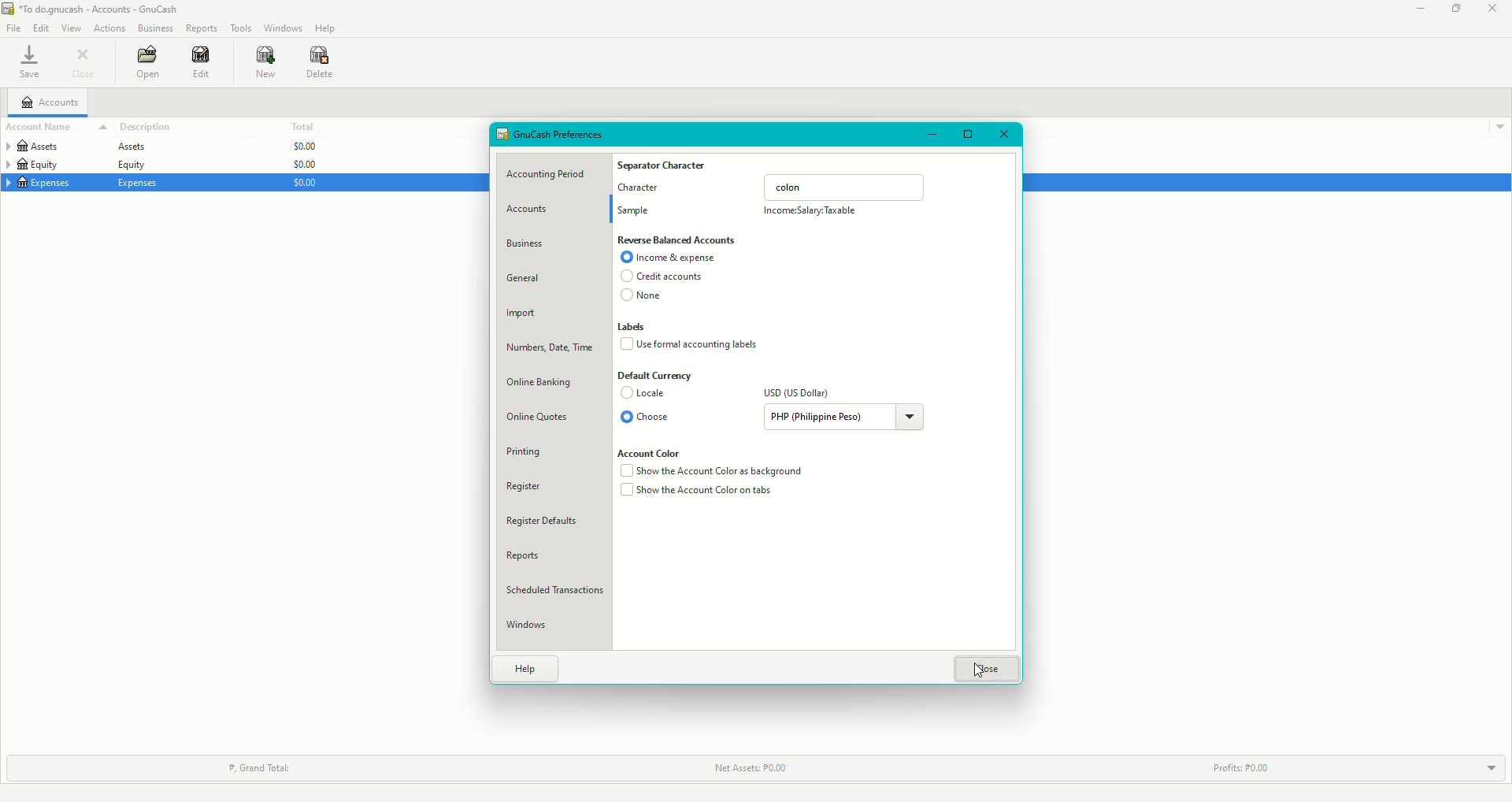 This screenshot has width=1512, height=802. Describe the element at coordinates (326, 28) in the screenshot. I see `Help` at that location.